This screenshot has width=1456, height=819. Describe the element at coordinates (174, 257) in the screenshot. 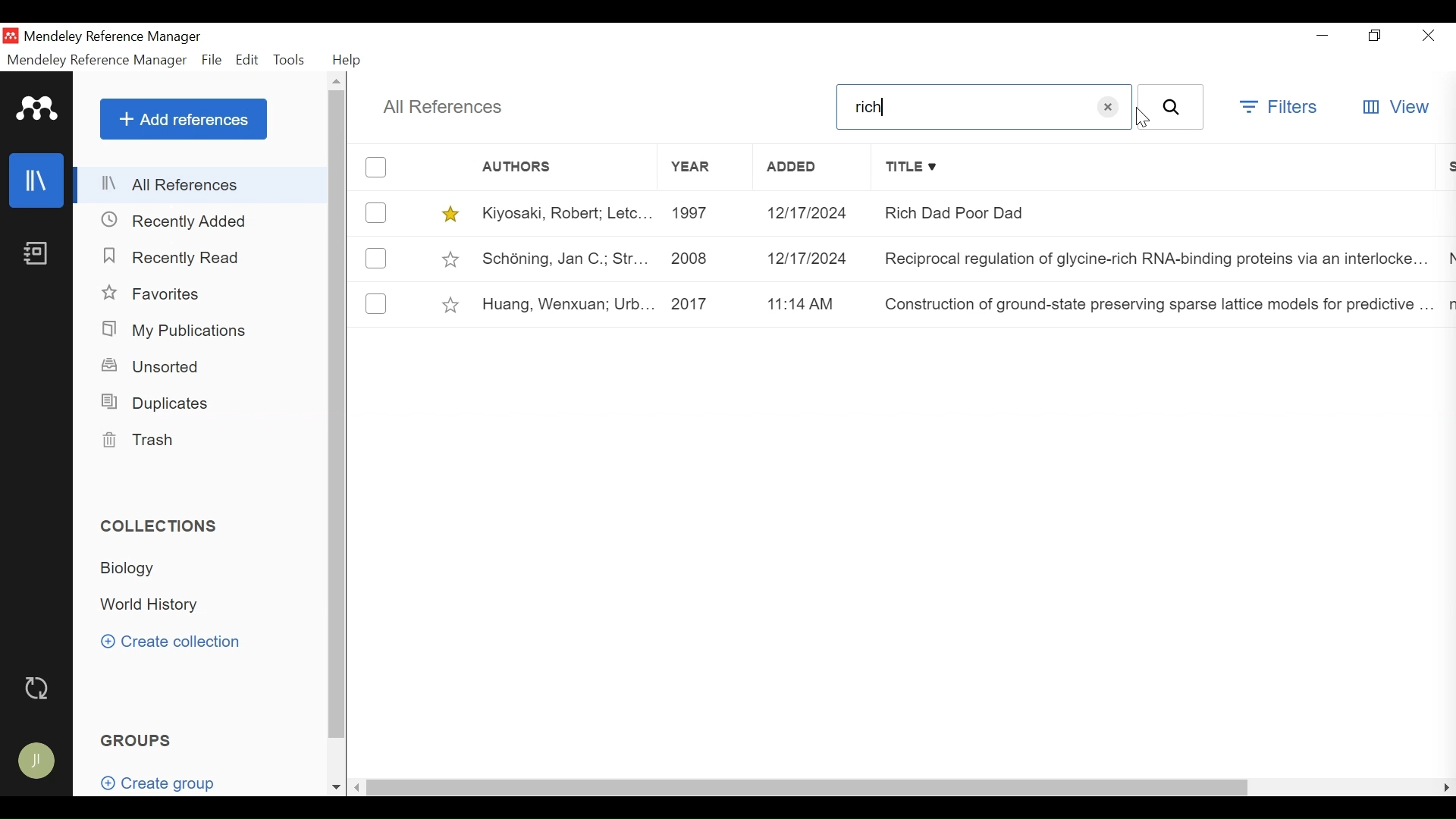

I see `Recently Read` at that location.